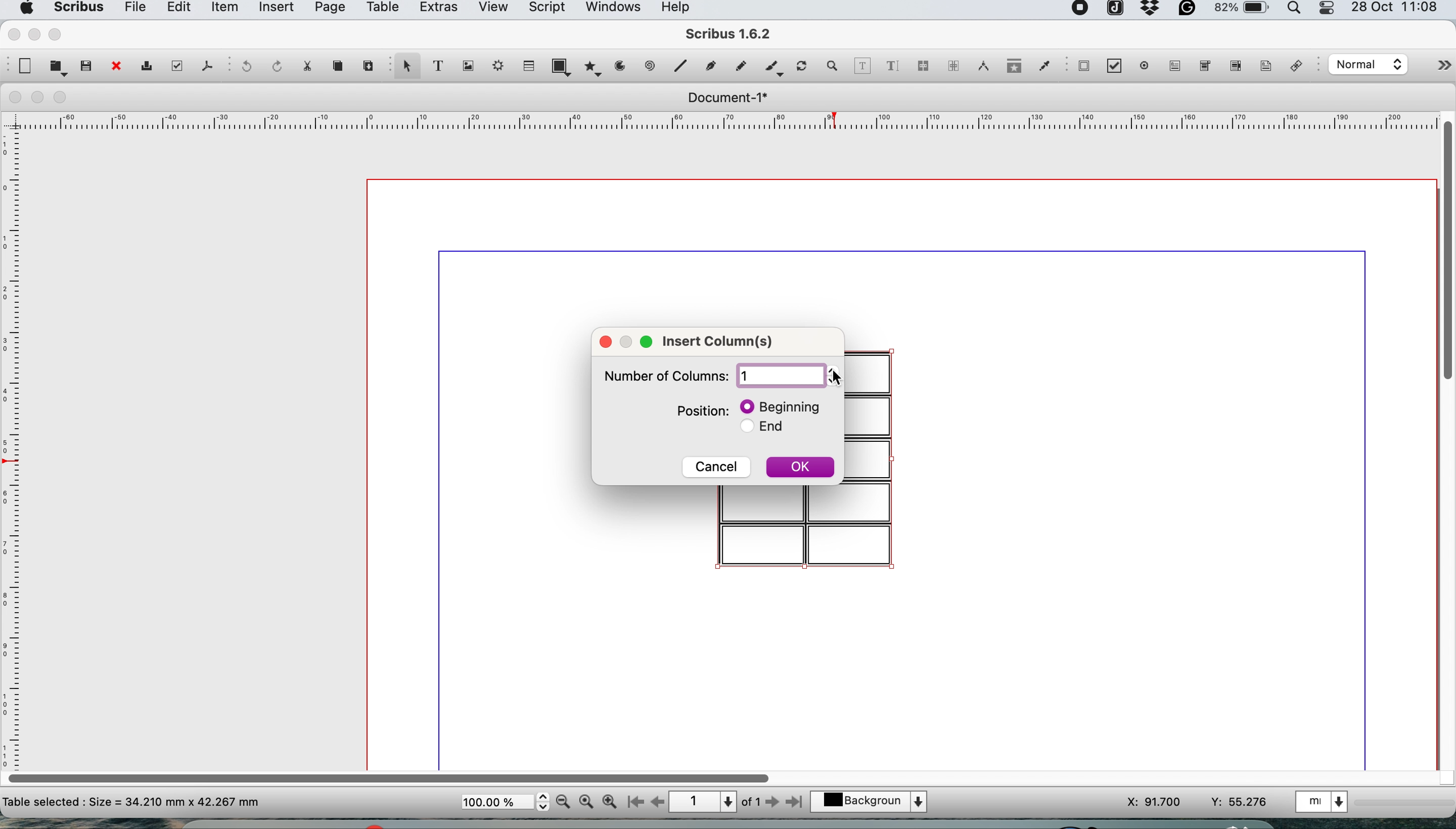  What do you see at coordinates (629, 342) in the screenshot?
I see `resize` at bounding box center [629, 342].